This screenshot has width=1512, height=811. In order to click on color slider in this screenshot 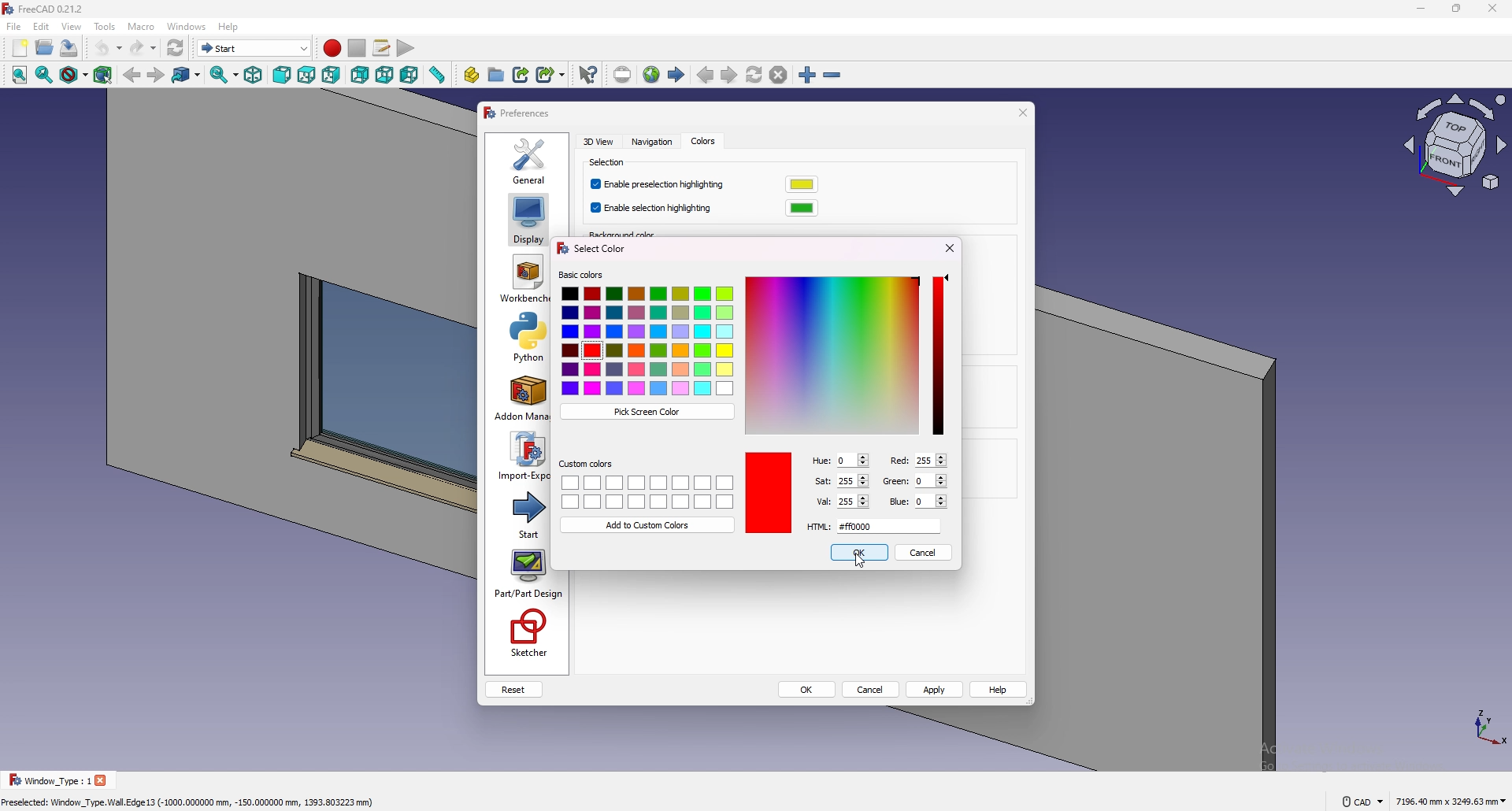, I will do `click(832, 354)`.